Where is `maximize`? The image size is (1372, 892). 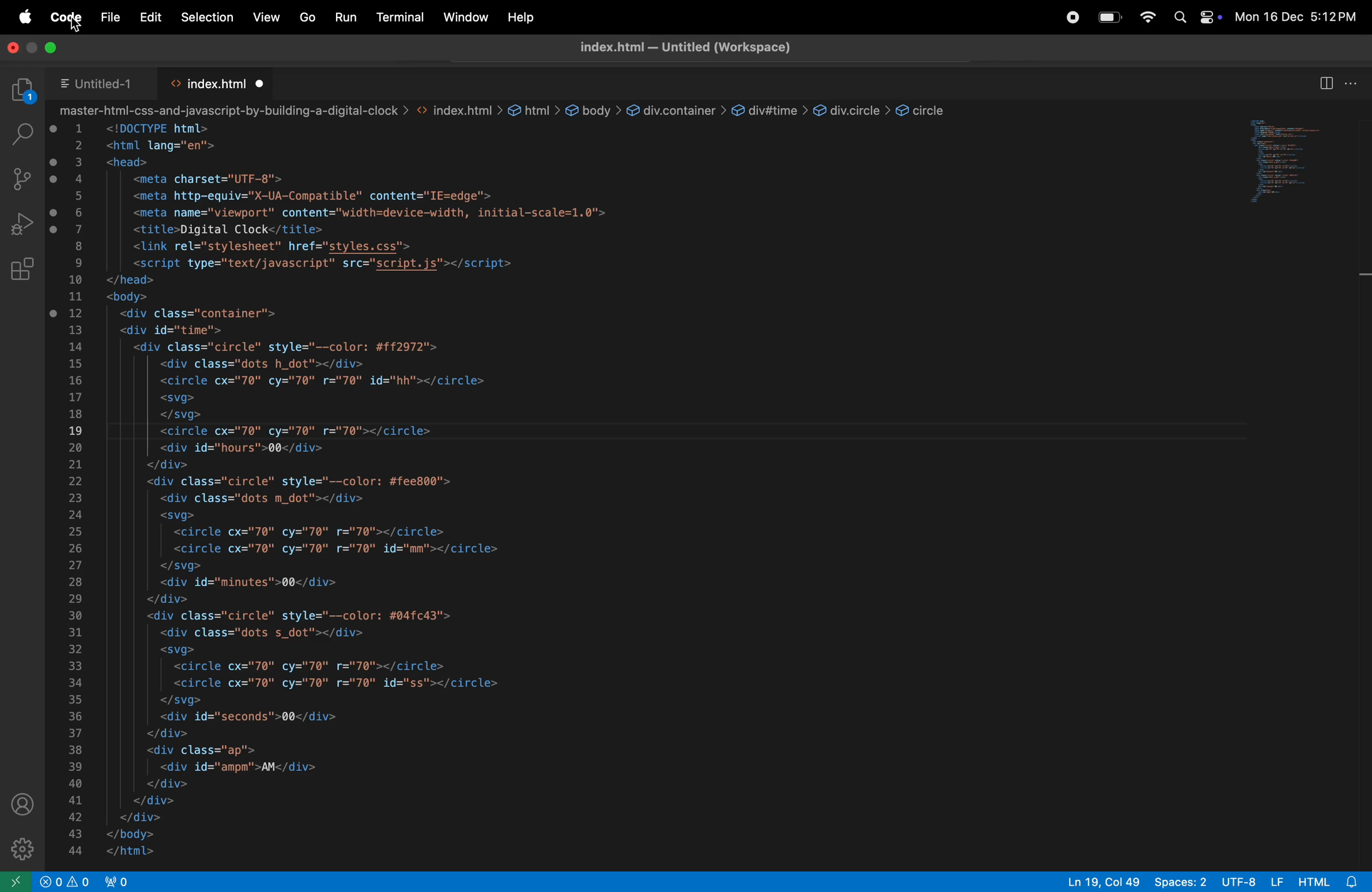
maximize is located at coordinates (56, 49).